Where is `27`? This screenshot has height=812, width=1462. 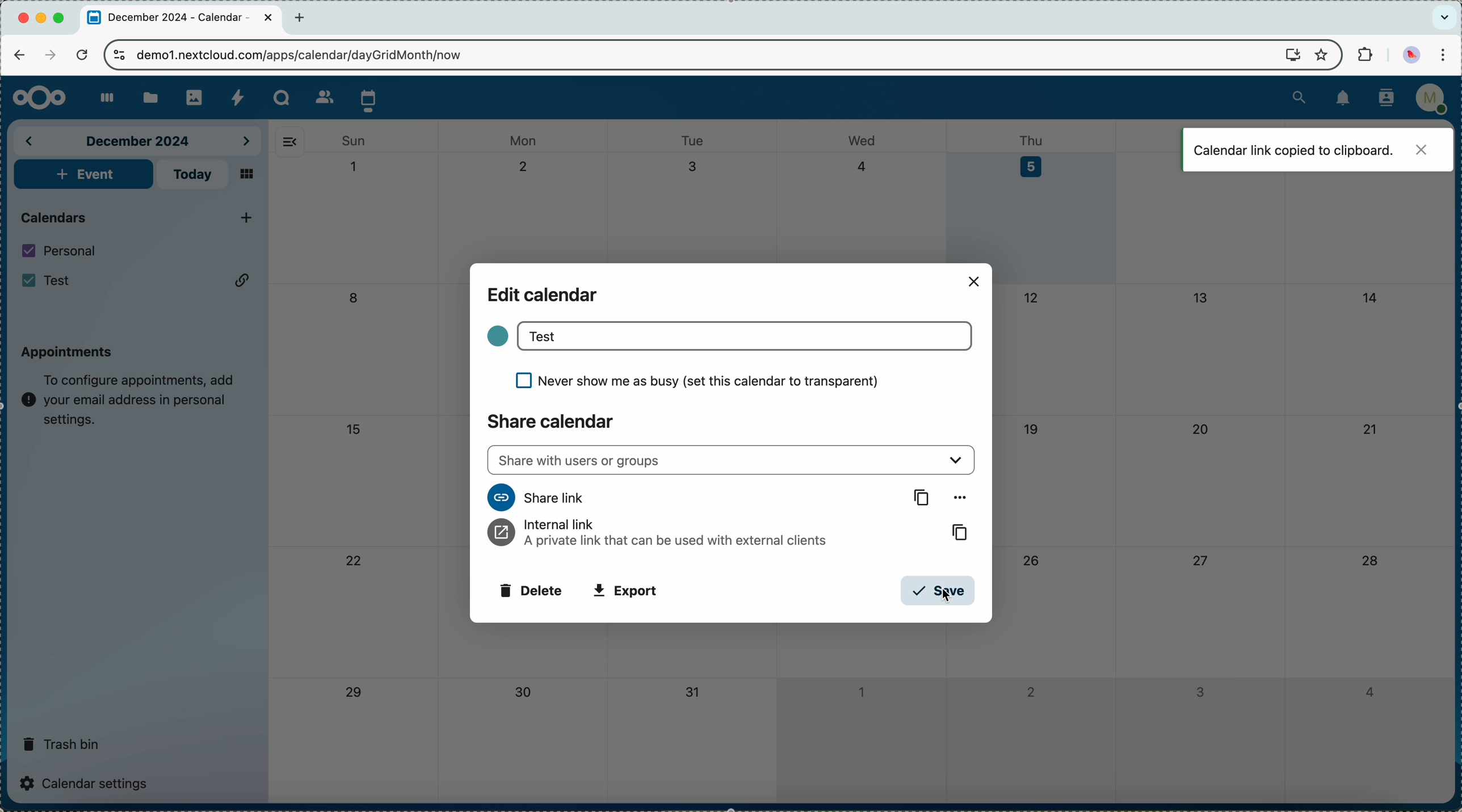 27 is located at coordinates (1199, 559).